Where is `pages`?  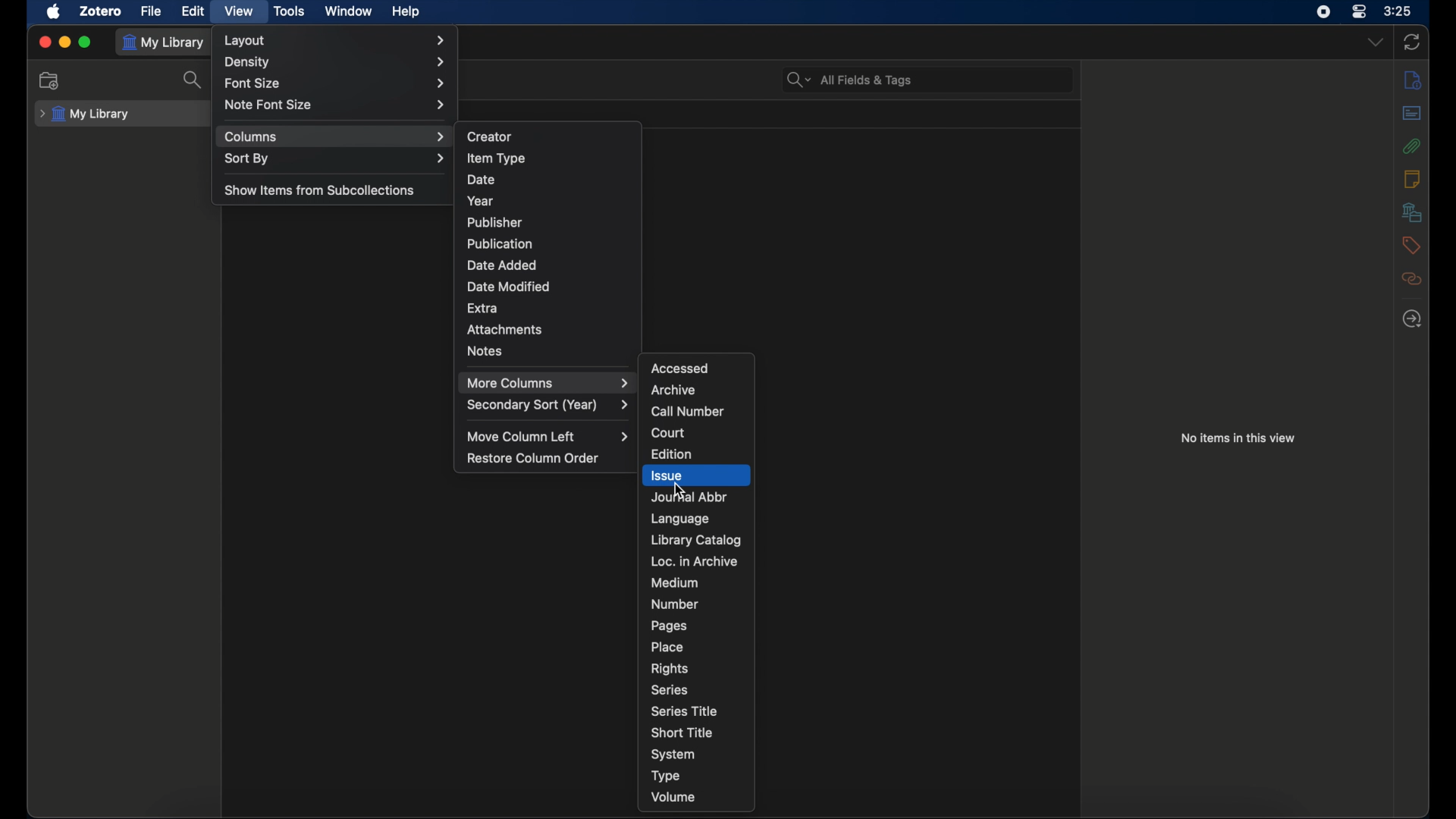 pages is located at coordinates (670, 626).